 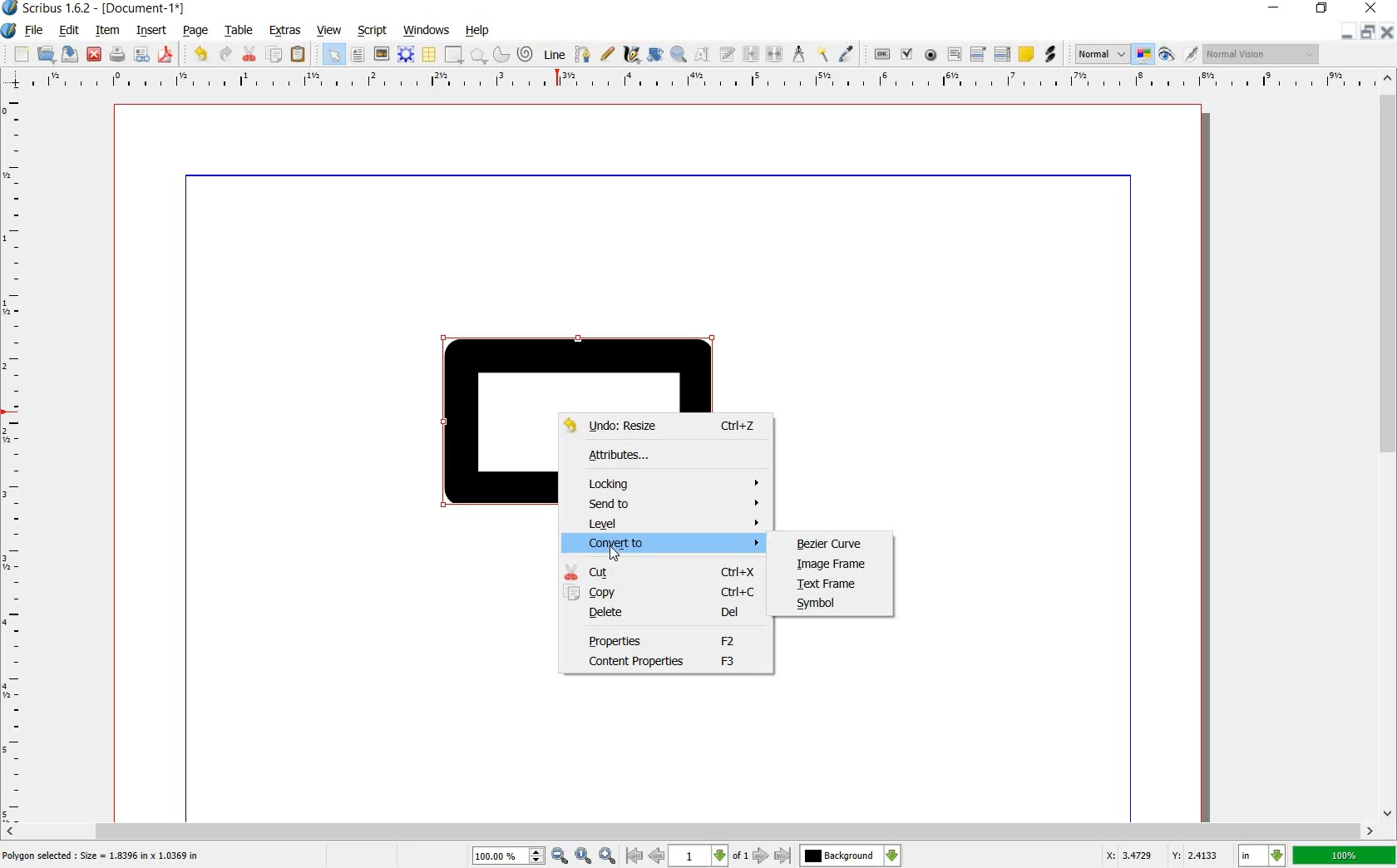 I want to click on rotate item, so click(x=655, y=54).